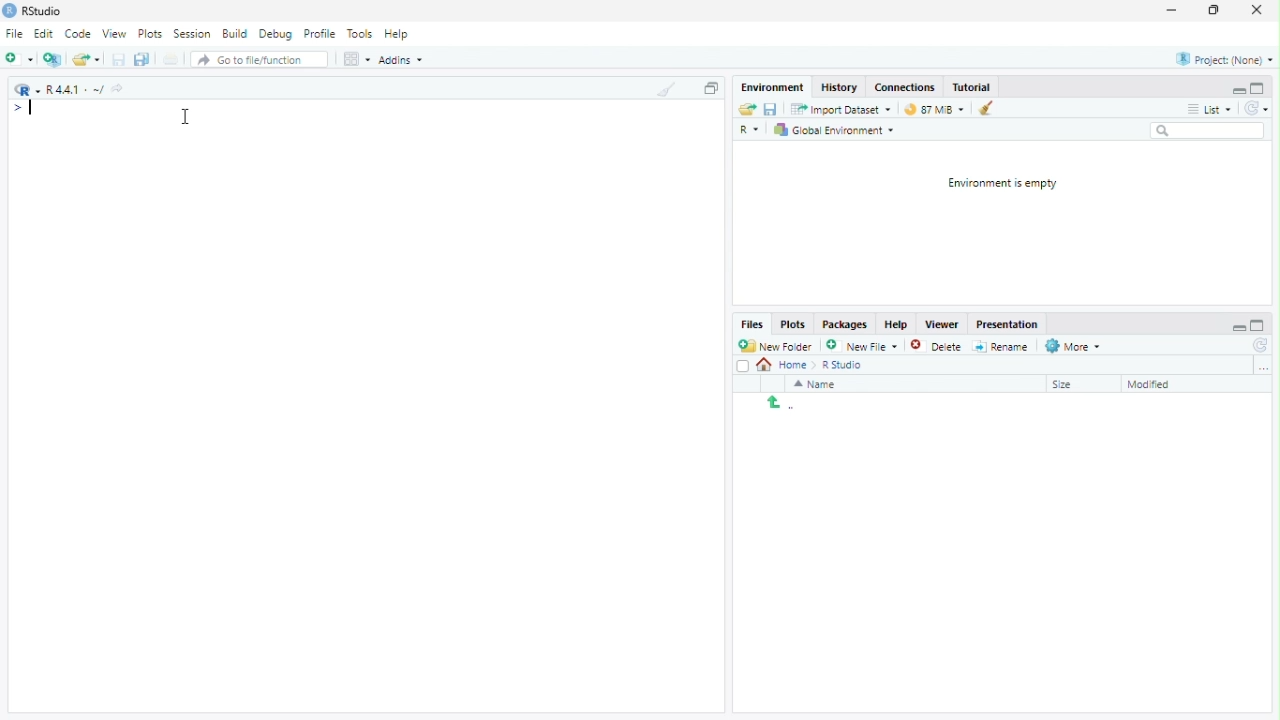  What do you see at coordinates (788, 365) in the screenshot?
I see `Home` at bounding box center [788, 365].